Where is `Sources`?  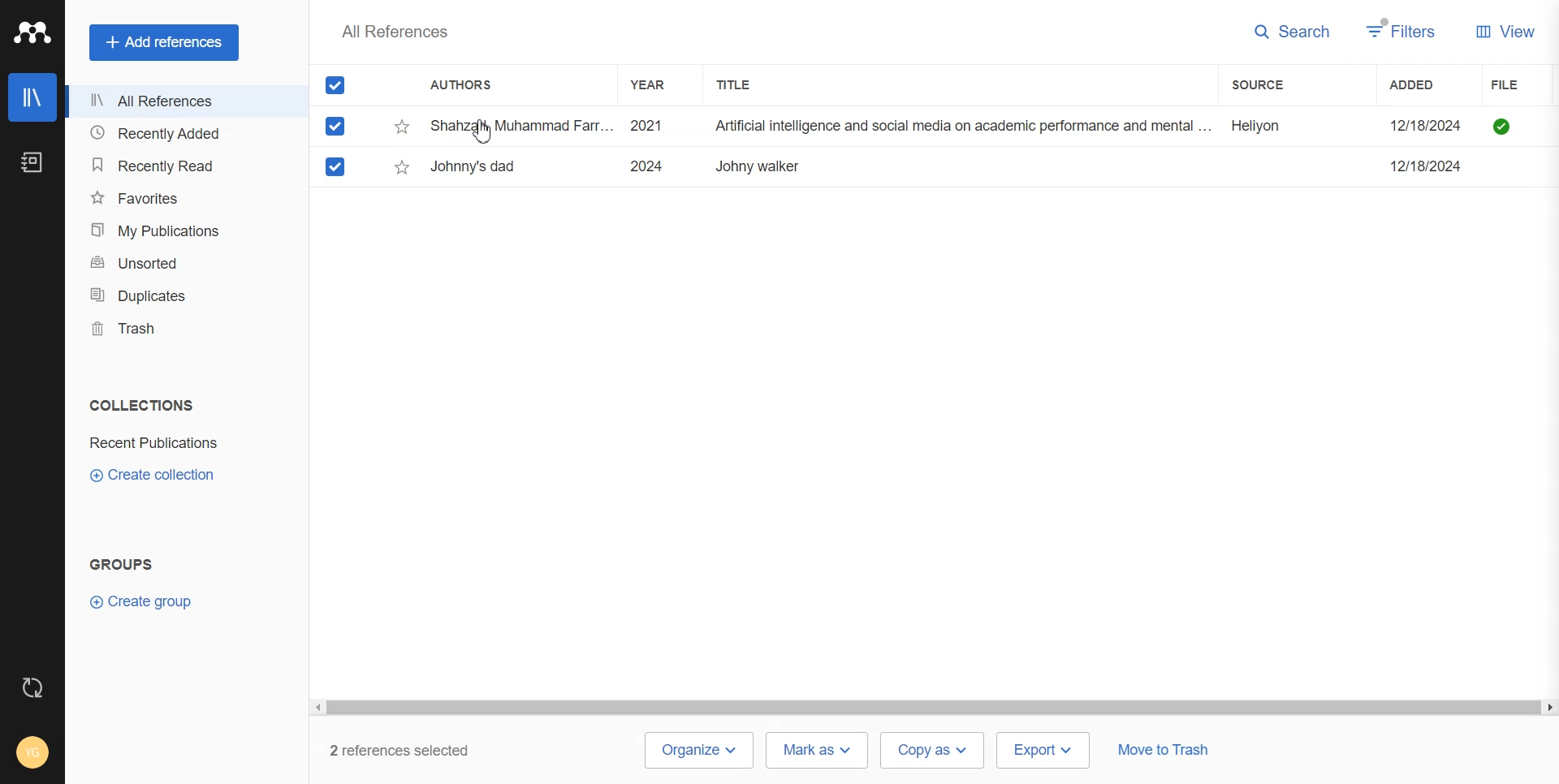
Sources is located at coordinates (1276, 84).